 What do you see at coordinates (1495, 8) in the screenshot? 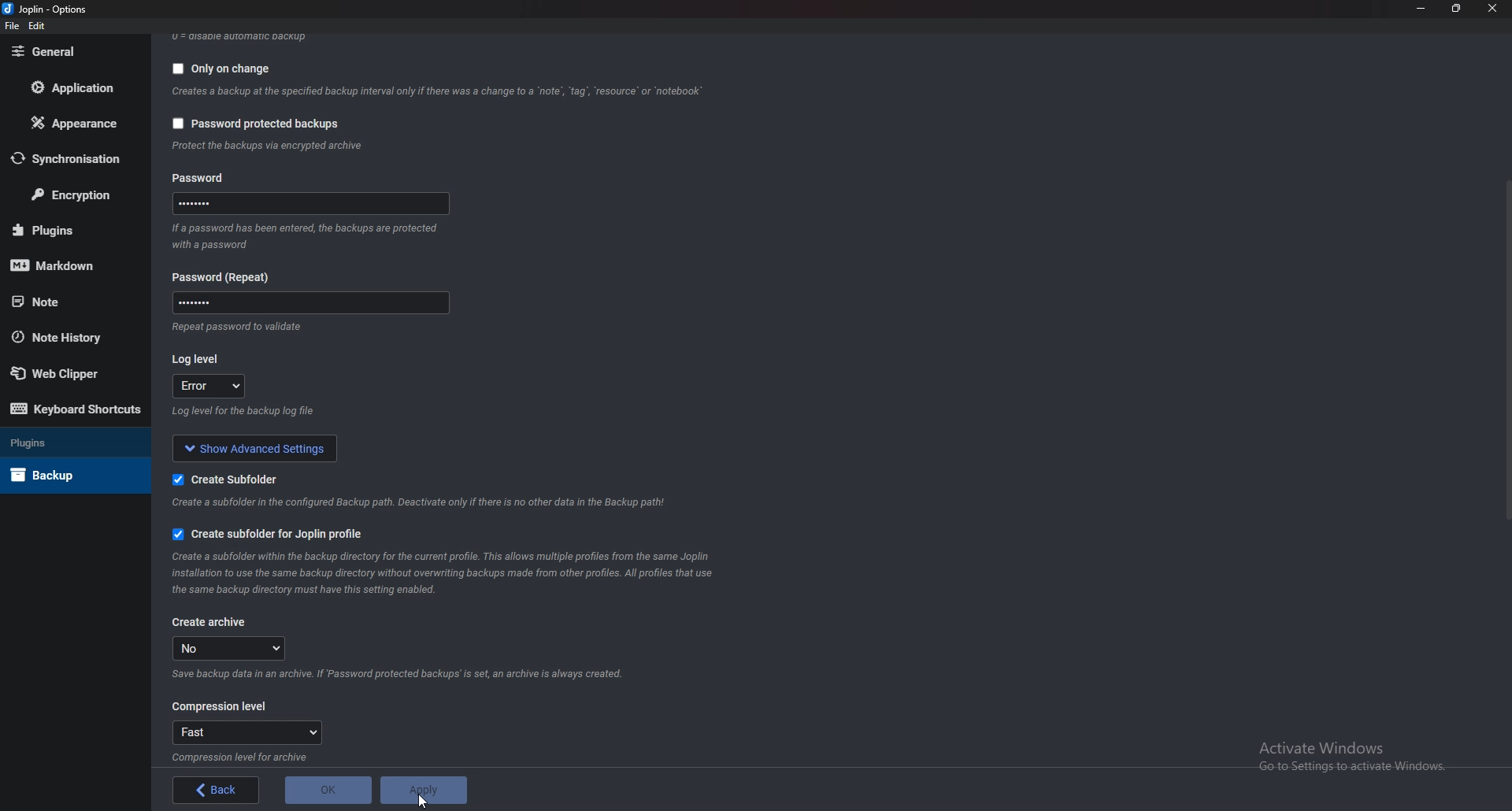
I see `close` at bounding box center [1495, 8].